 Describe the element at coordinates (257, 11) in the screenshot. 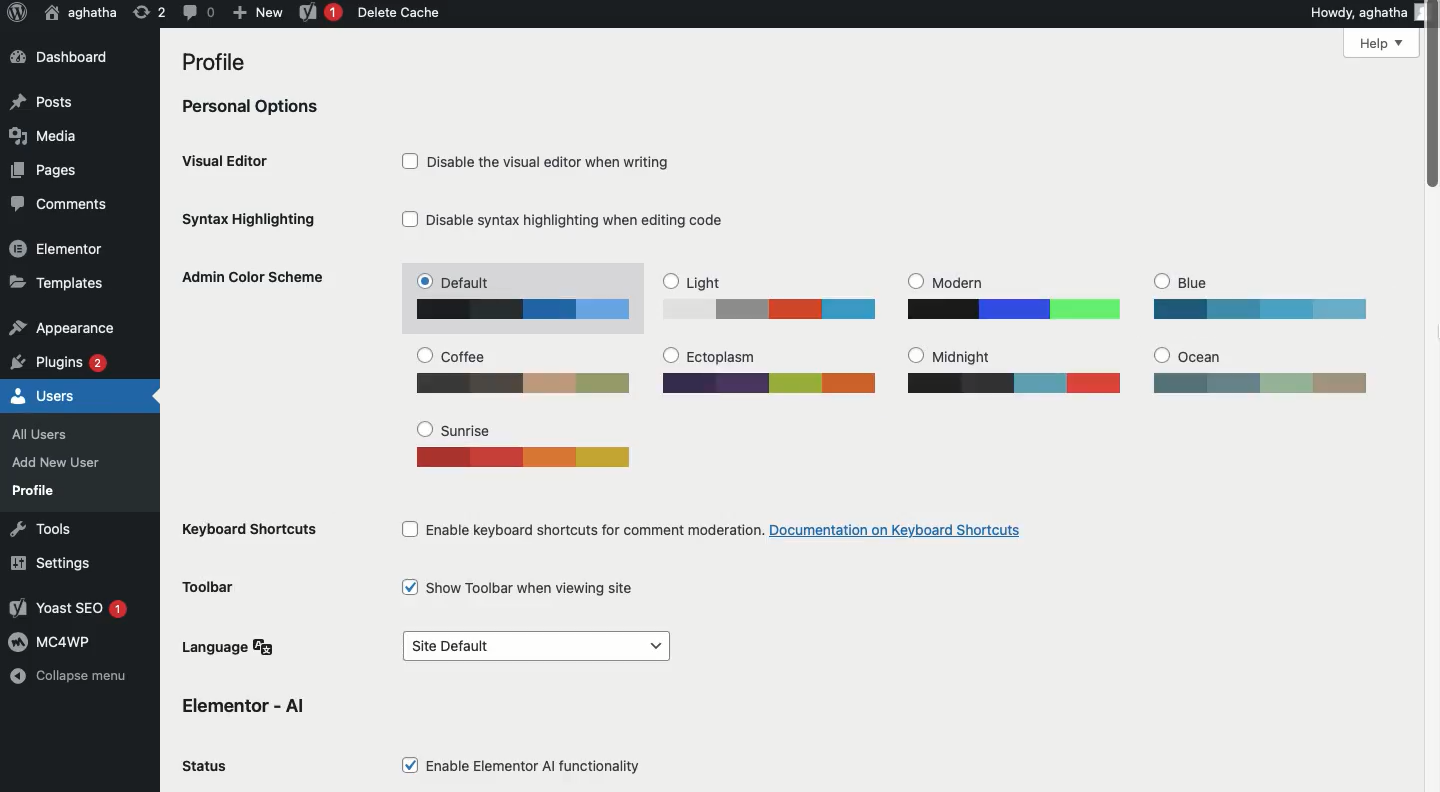

I see `New` at that location.